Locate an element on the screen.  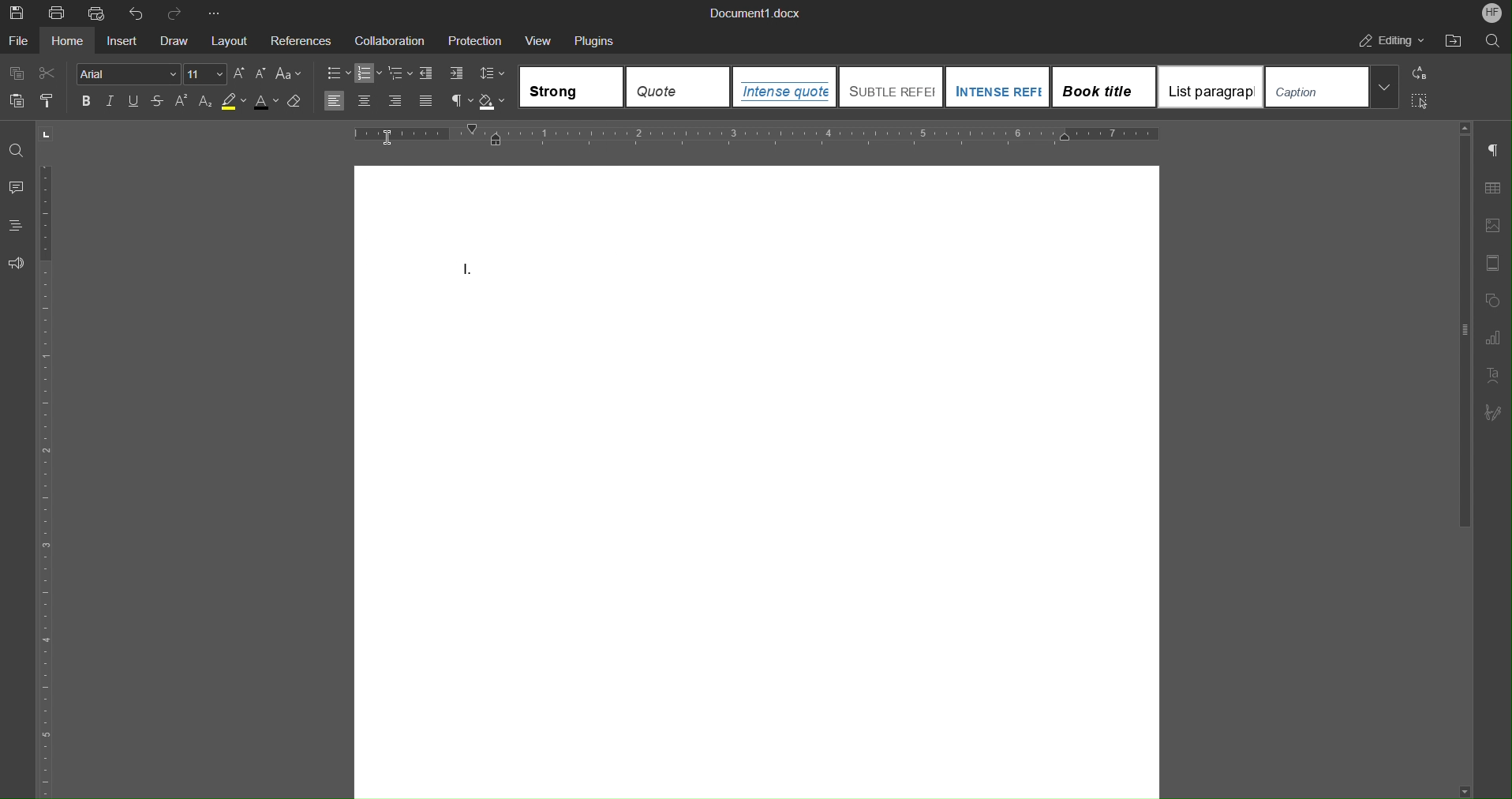
Font size is located at coordinates (206, 73).